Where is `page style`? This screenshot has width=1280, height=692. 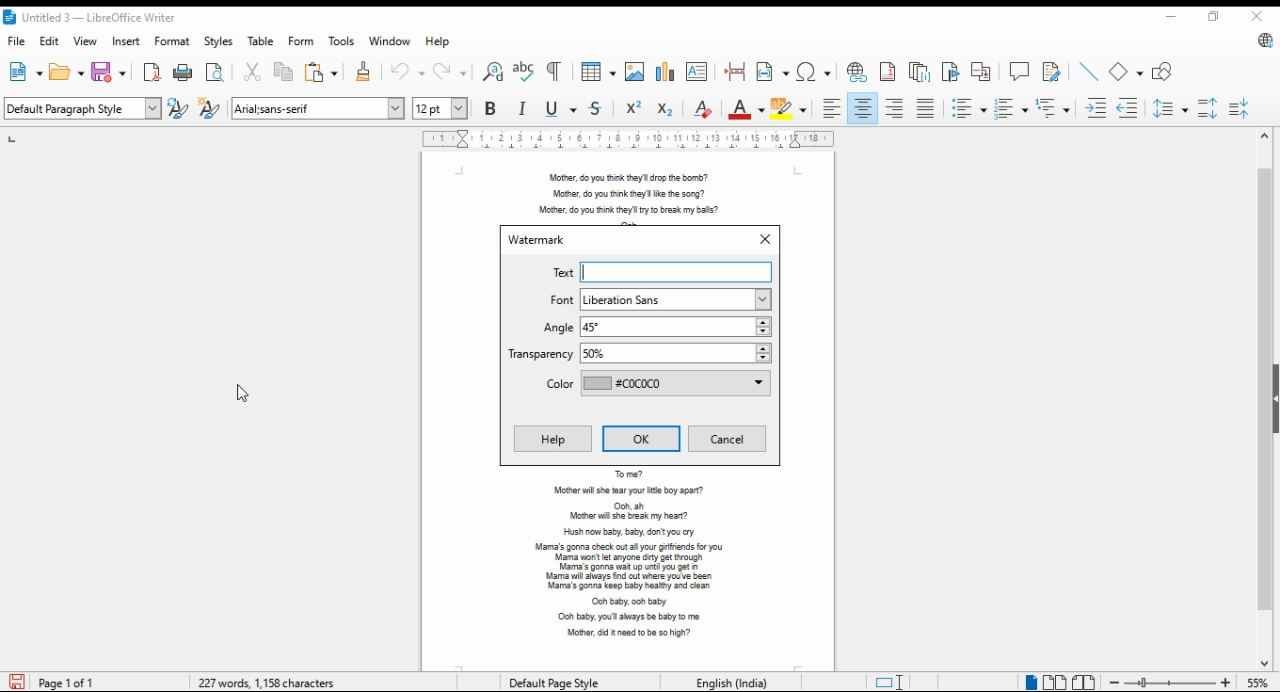 page style is located at coordinates (549, 680).